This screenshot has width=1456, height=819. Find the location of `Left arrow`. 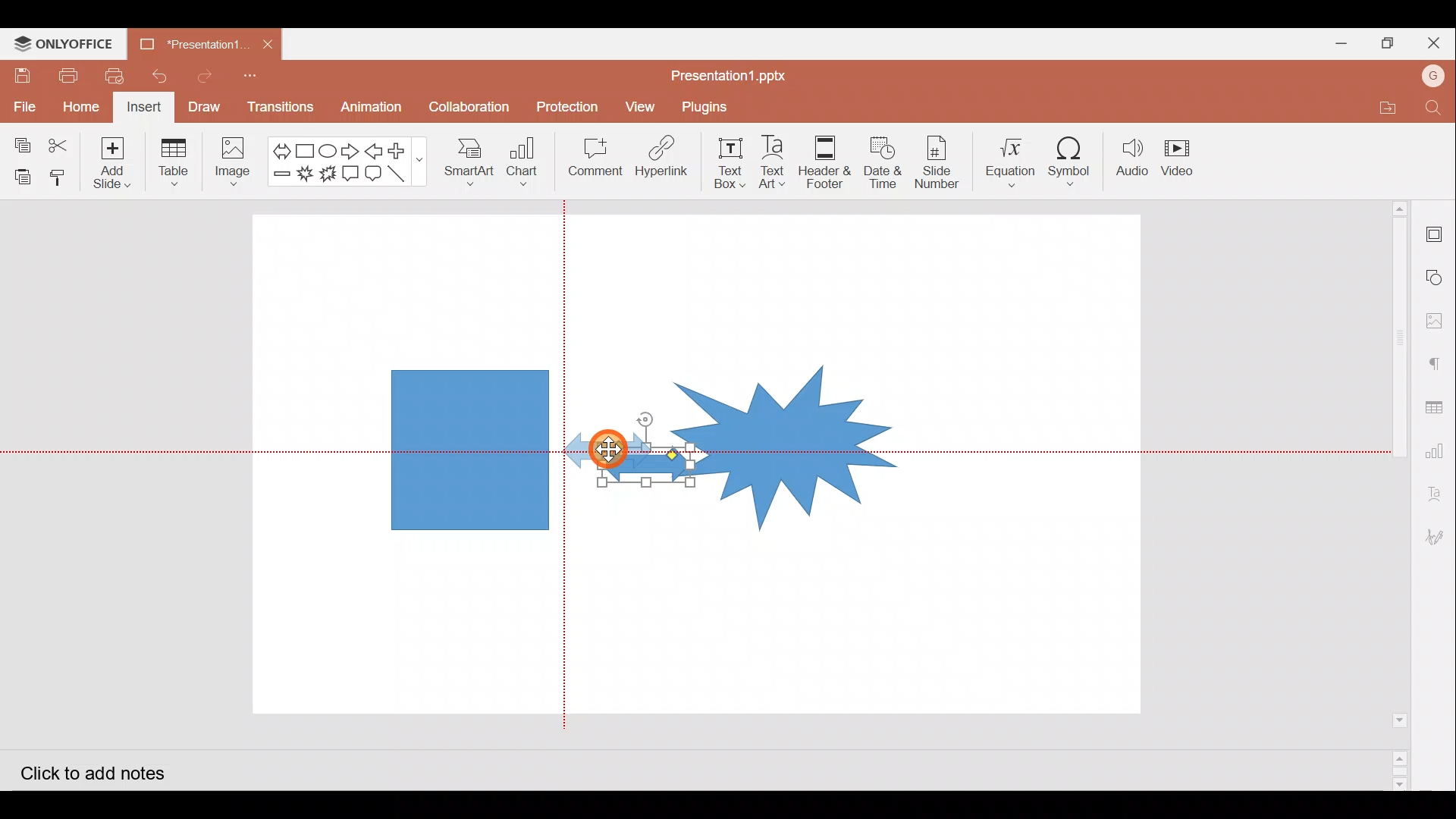

Left arrow is located at coordinates (377, 151).